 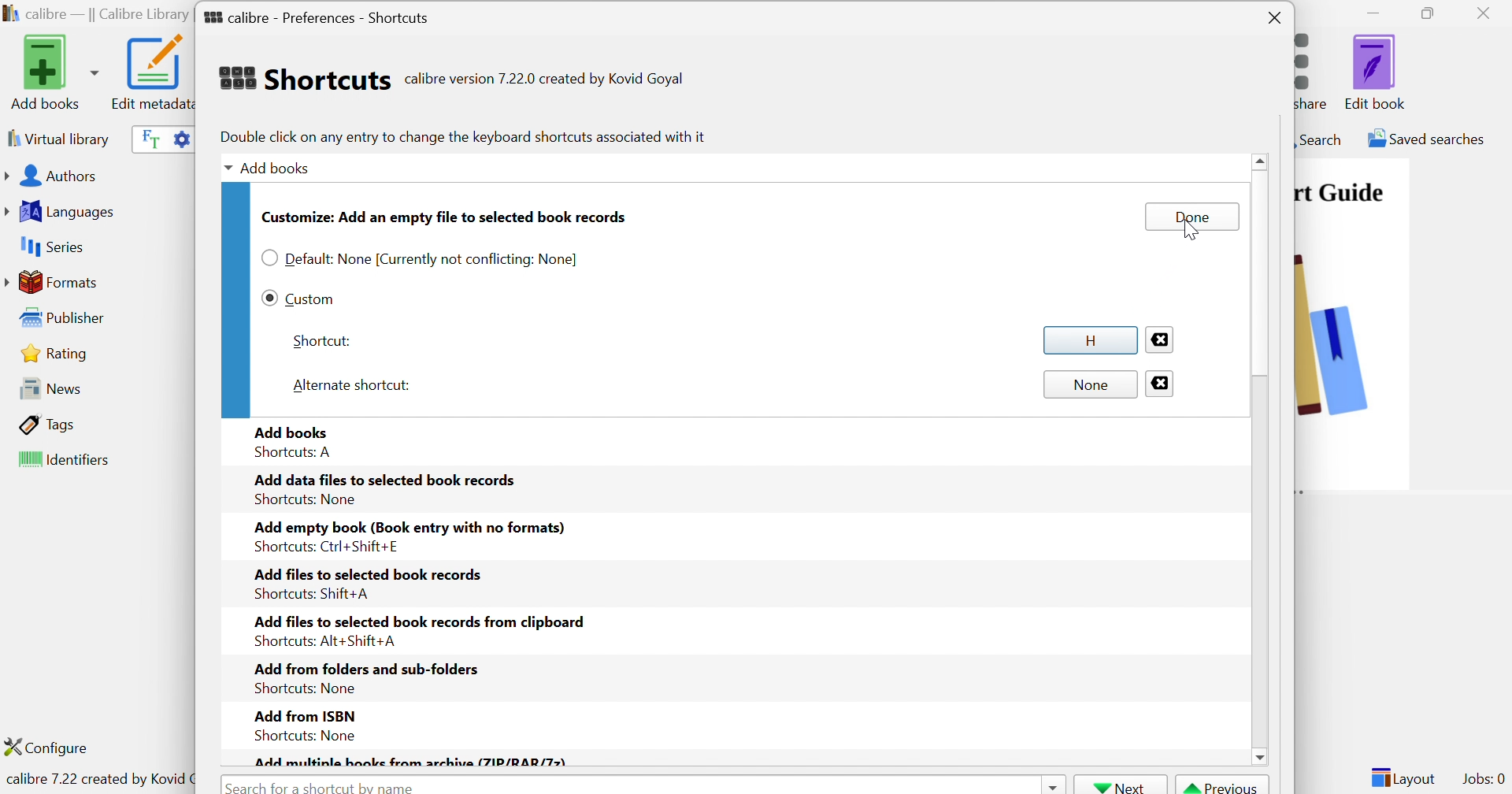 What do you see at coordinates (57, 138) in the screenshot?
I see `Virtual library` at bounding box center [57, 138].